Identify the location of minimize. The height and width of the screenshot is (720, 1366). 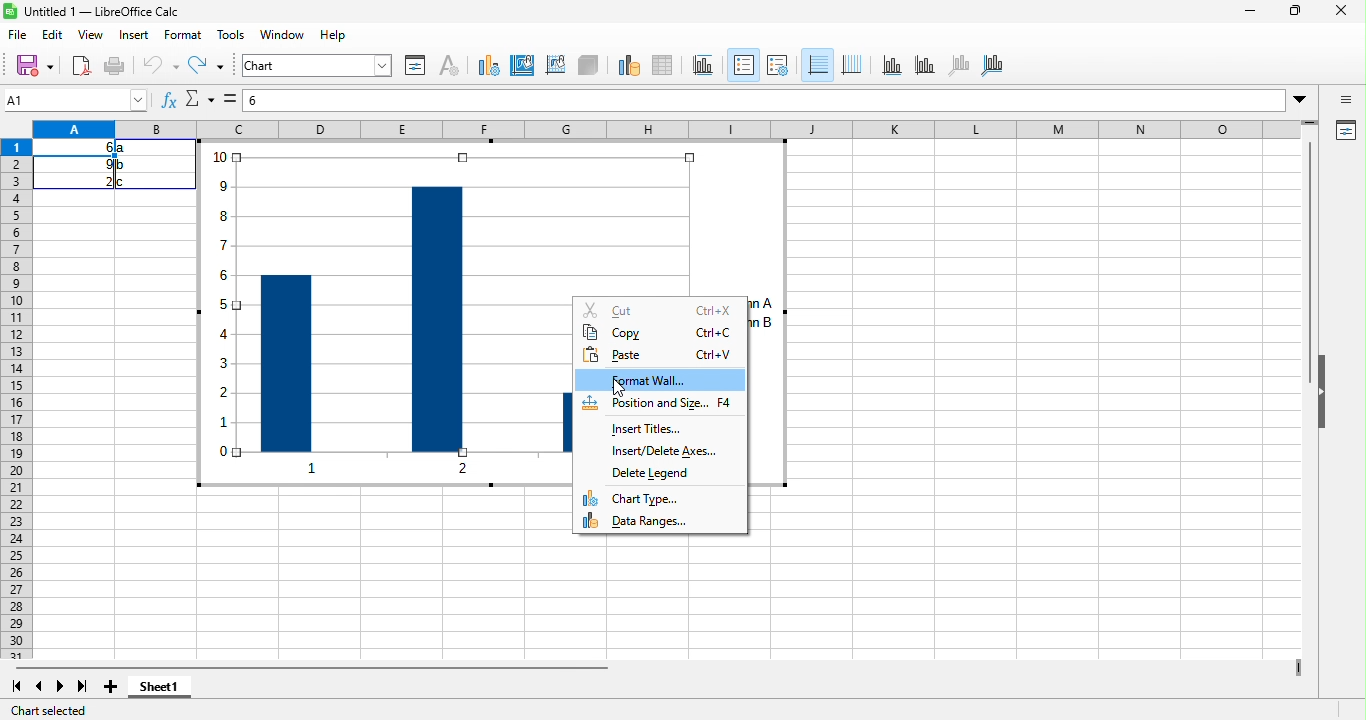
(1250, 10).